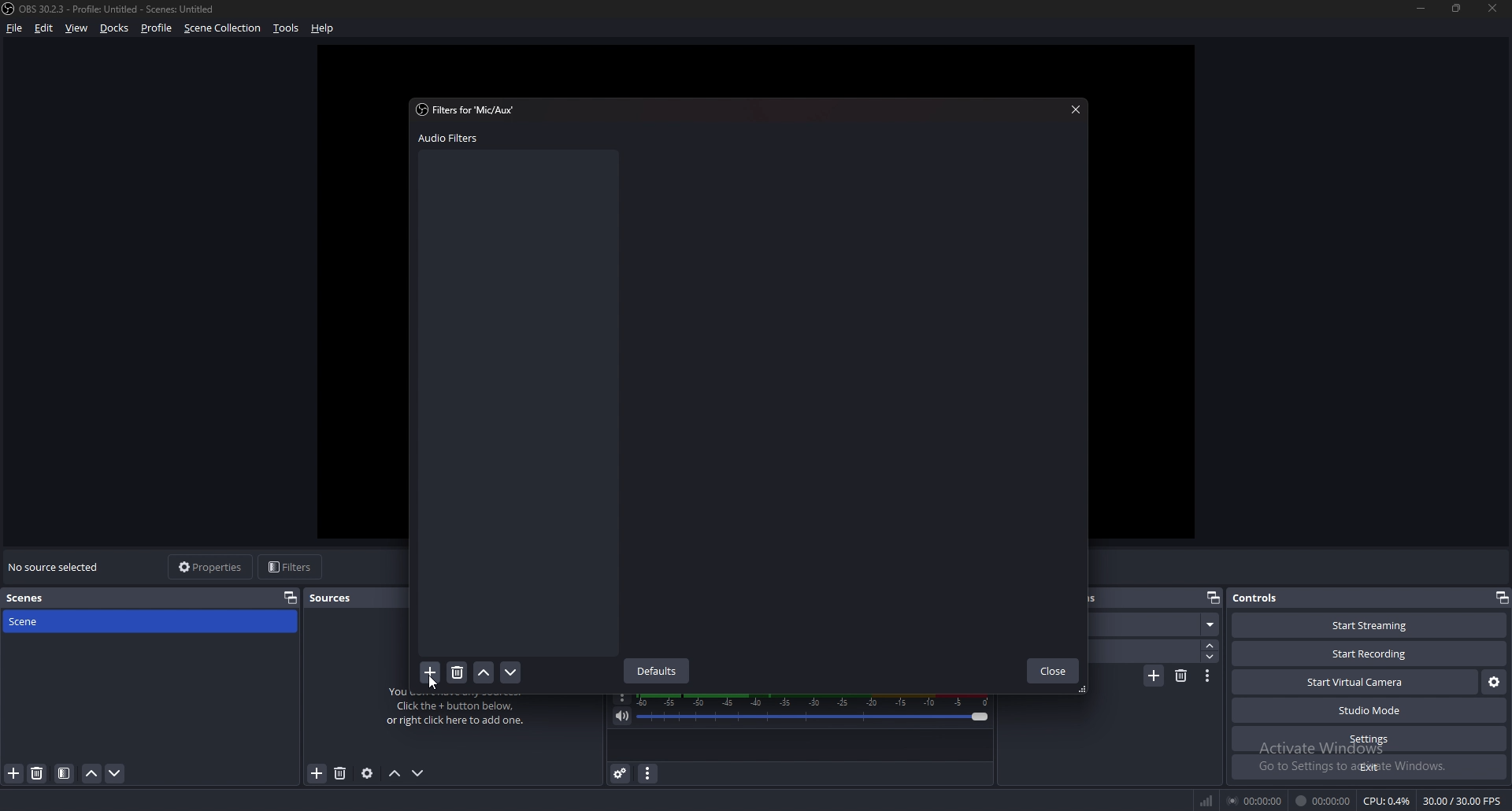  What do you see at coordinates (114, 28) in the screenshot?
I see `docks` at bounding box center [114, 28].